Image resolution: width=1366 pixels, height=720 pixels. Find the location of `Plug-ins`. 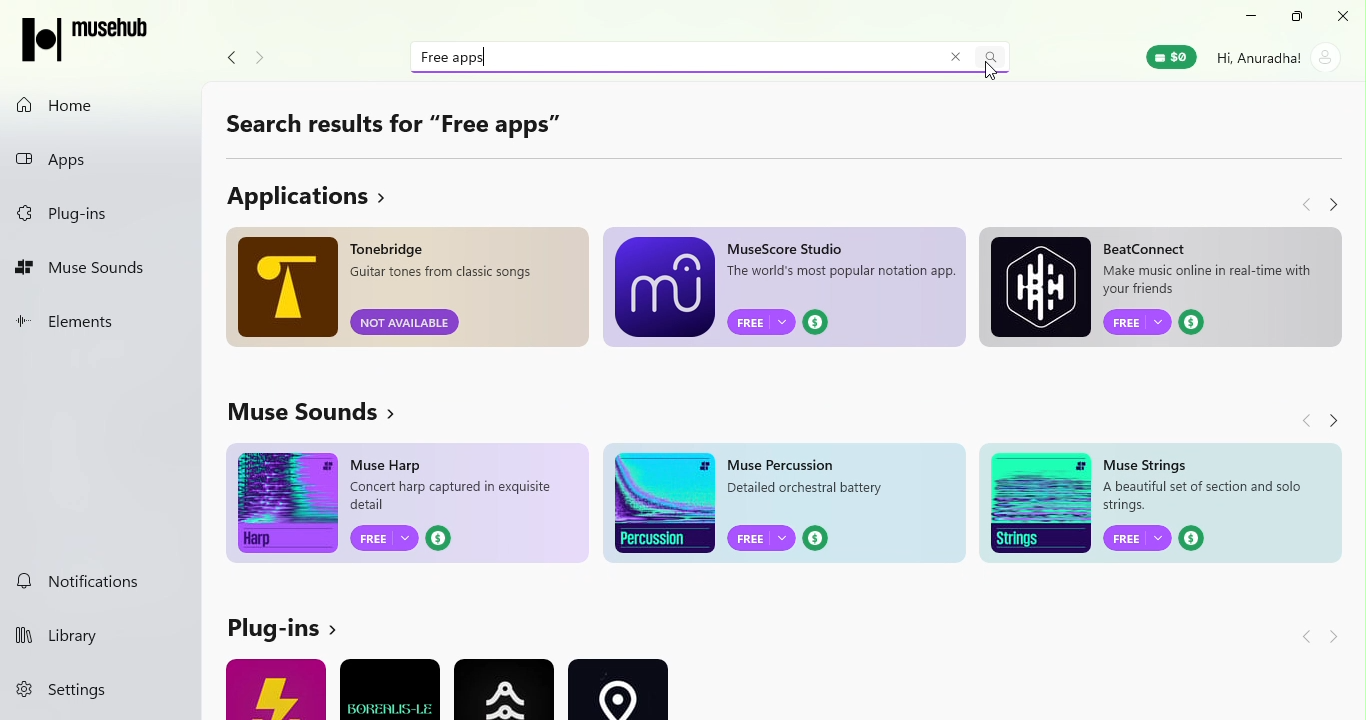

Plug-ins is located at coordinates (92, 209).